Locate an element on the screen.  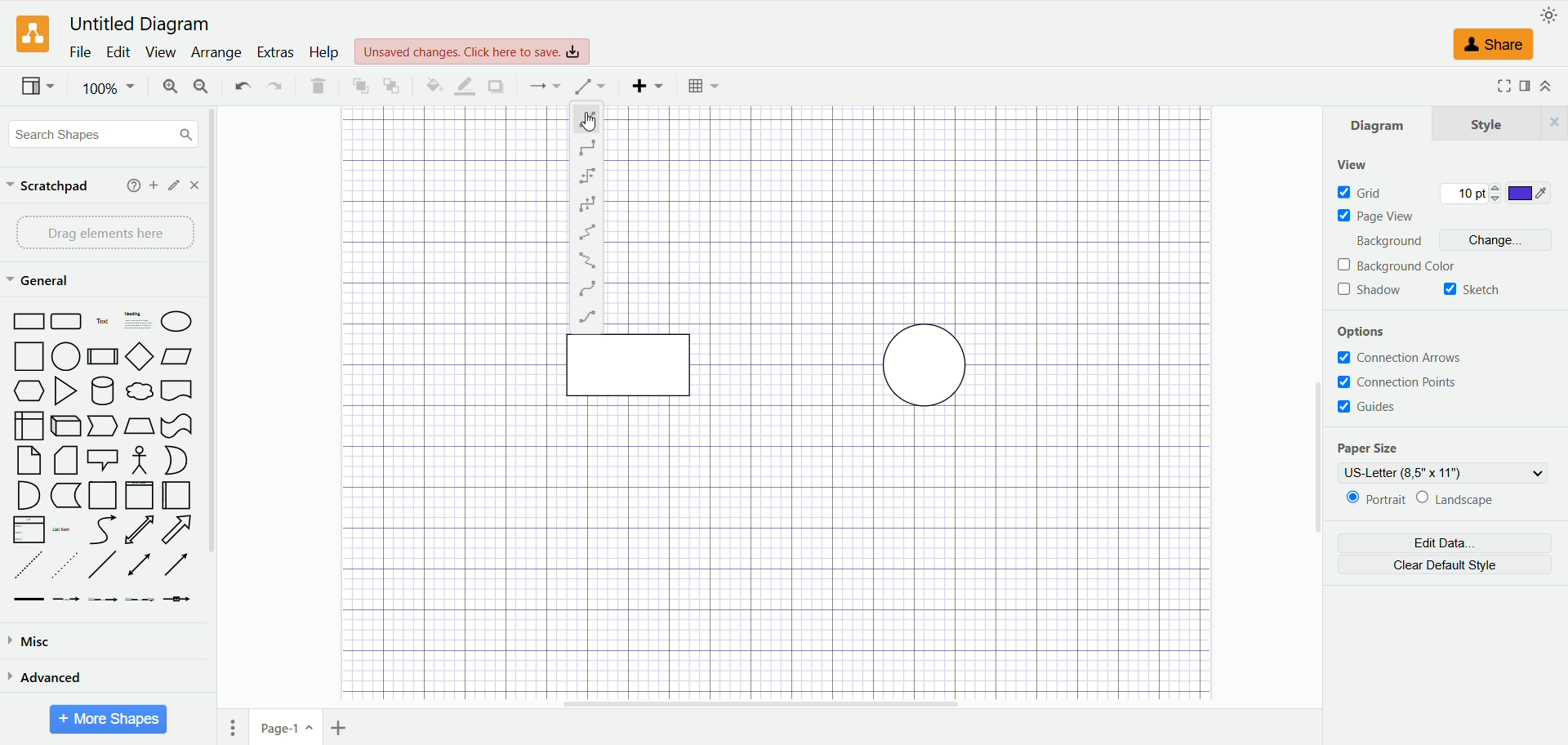
shadow is located at coordinates (1370, 289).